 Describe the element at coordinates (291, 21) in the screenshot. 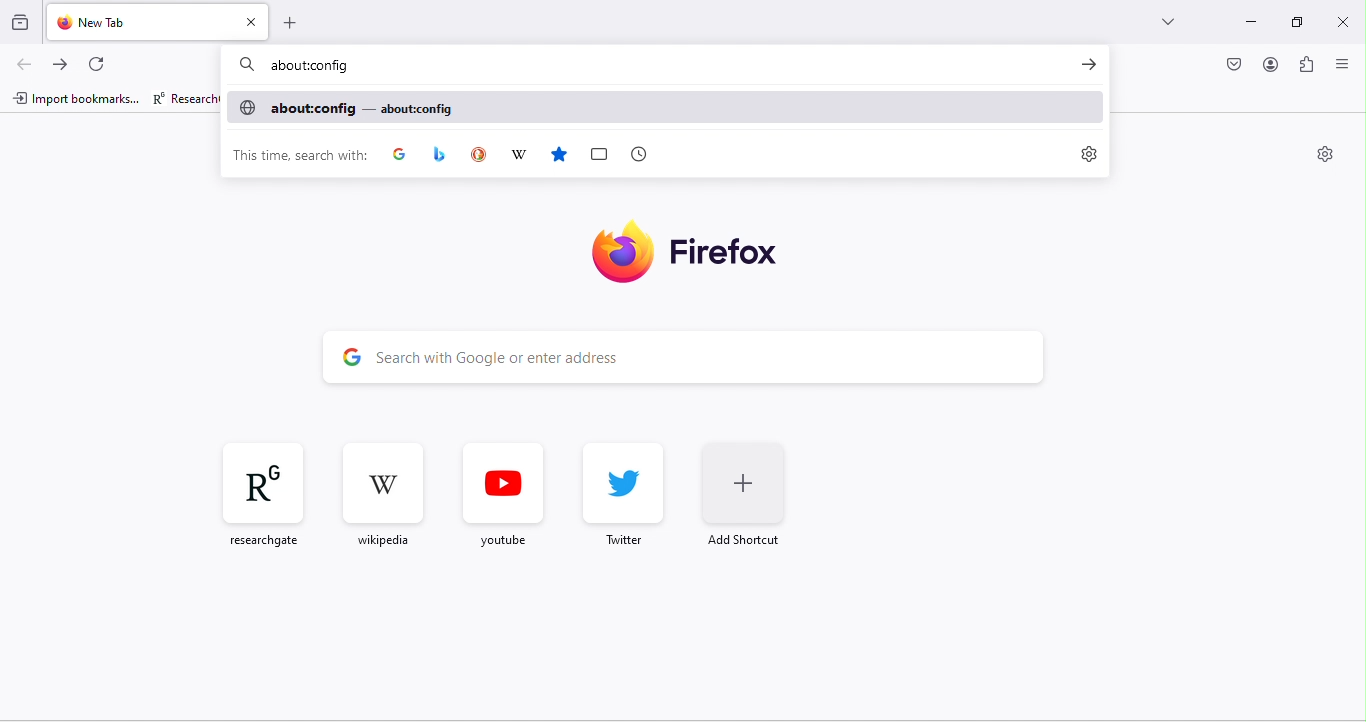

I see `add` at that location.